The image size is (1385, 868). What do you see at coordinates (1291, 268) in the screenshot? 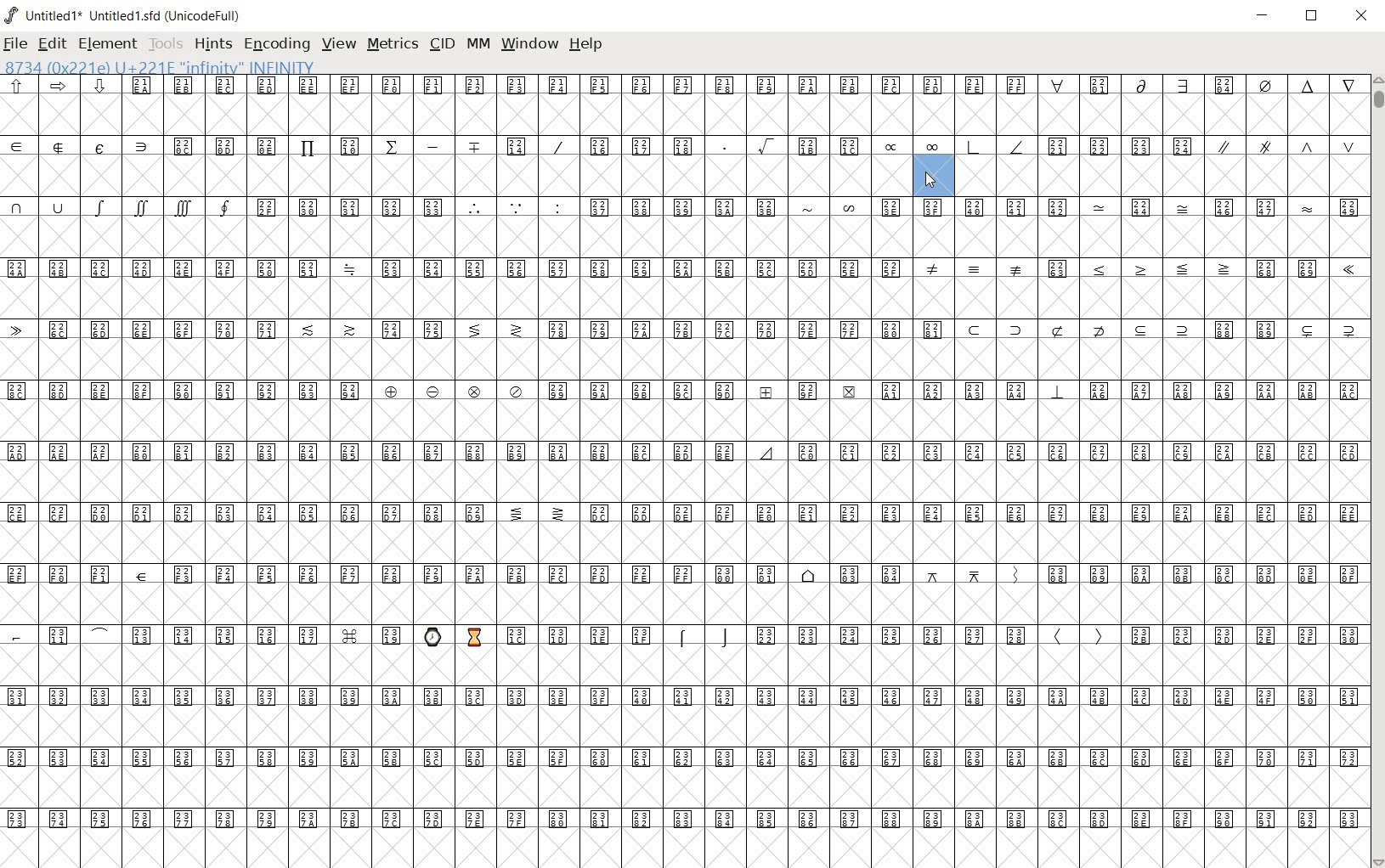
I see `Unicode code points` at bounding box center [1291, 268].